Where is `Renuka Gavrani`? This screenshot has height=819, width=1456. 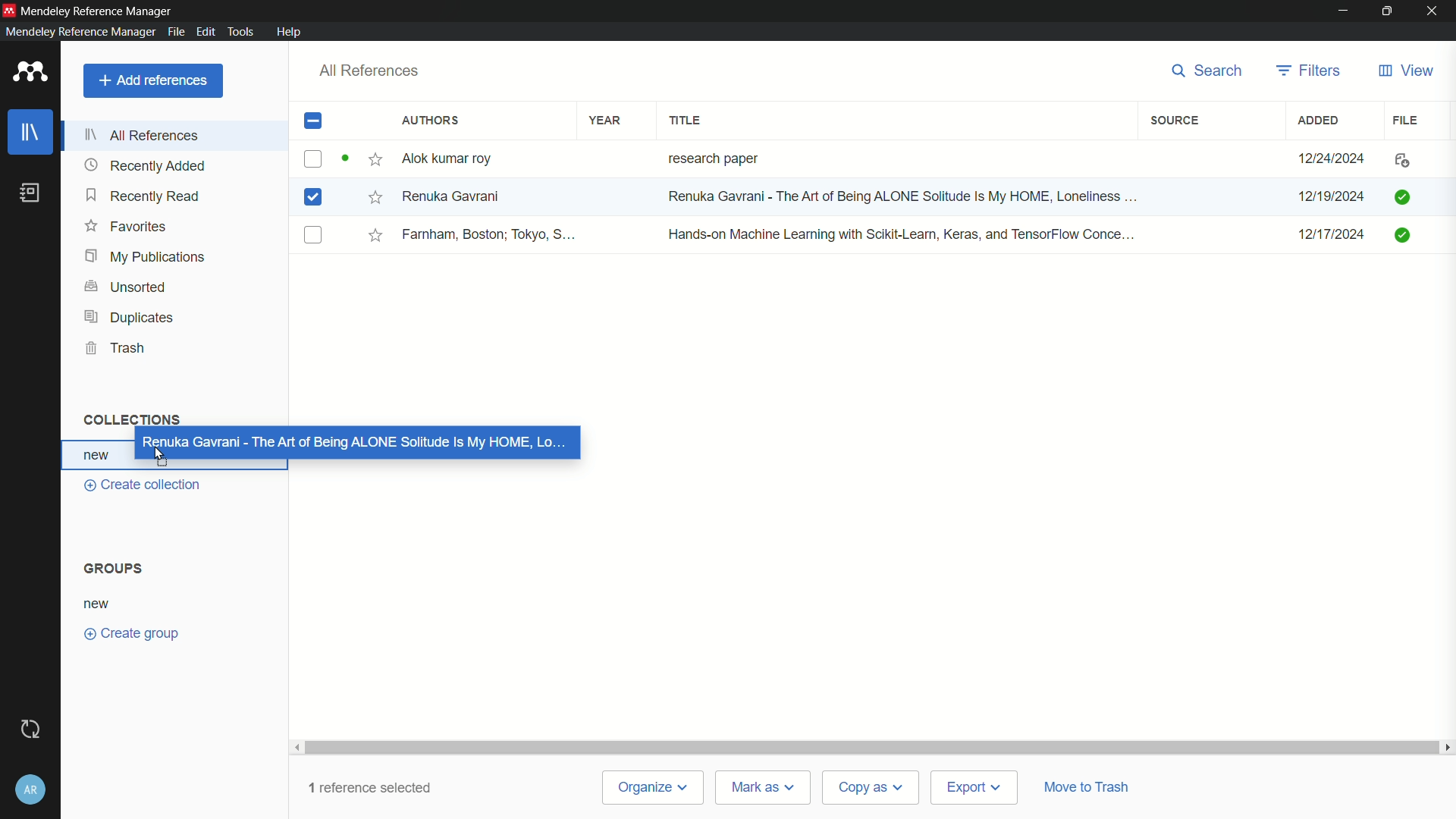
Renuka Gavrani is located at coordinates (456, 196).